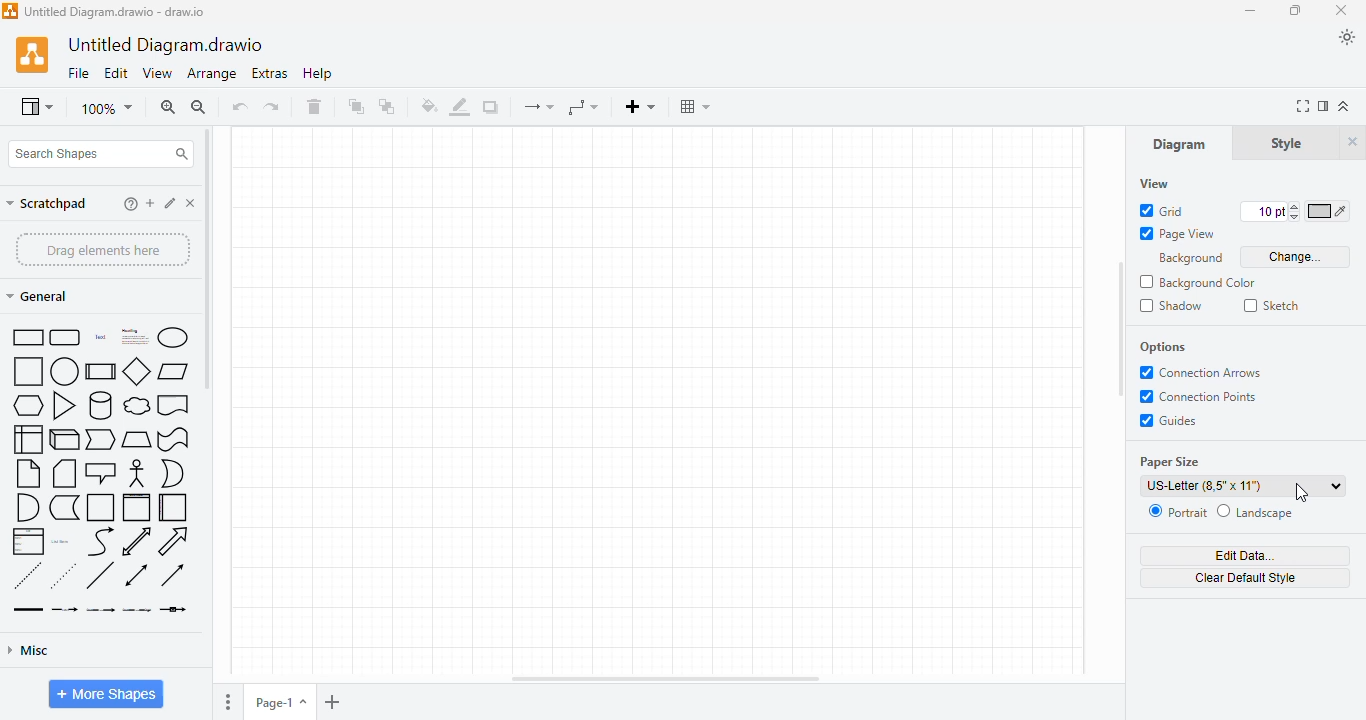  Describe the element at coordinates (102, 541) in the screenshot. I see `curve` at that location.